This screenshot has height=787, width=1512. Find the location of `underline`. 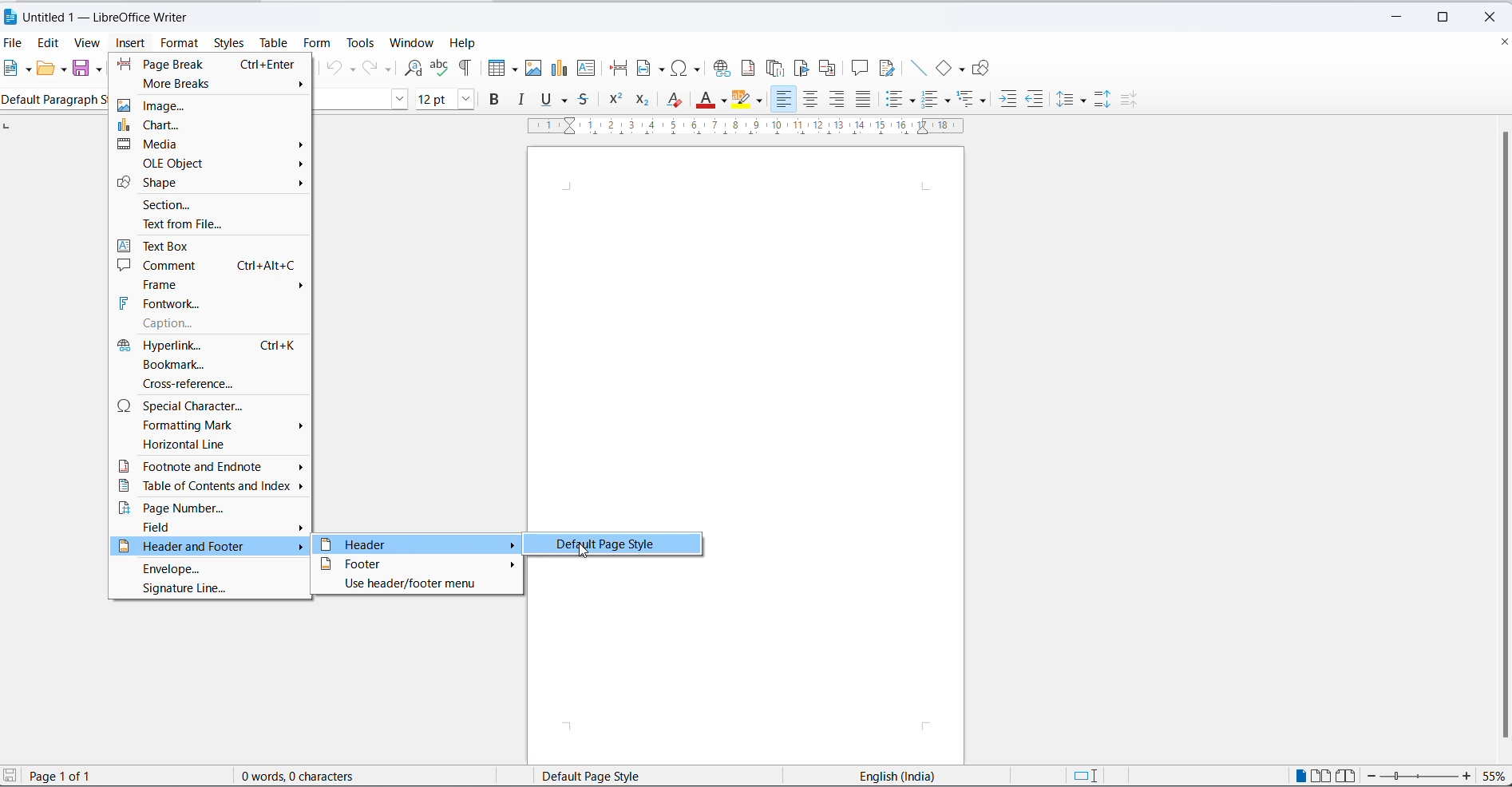

underline is located at coordinates (544, 100).